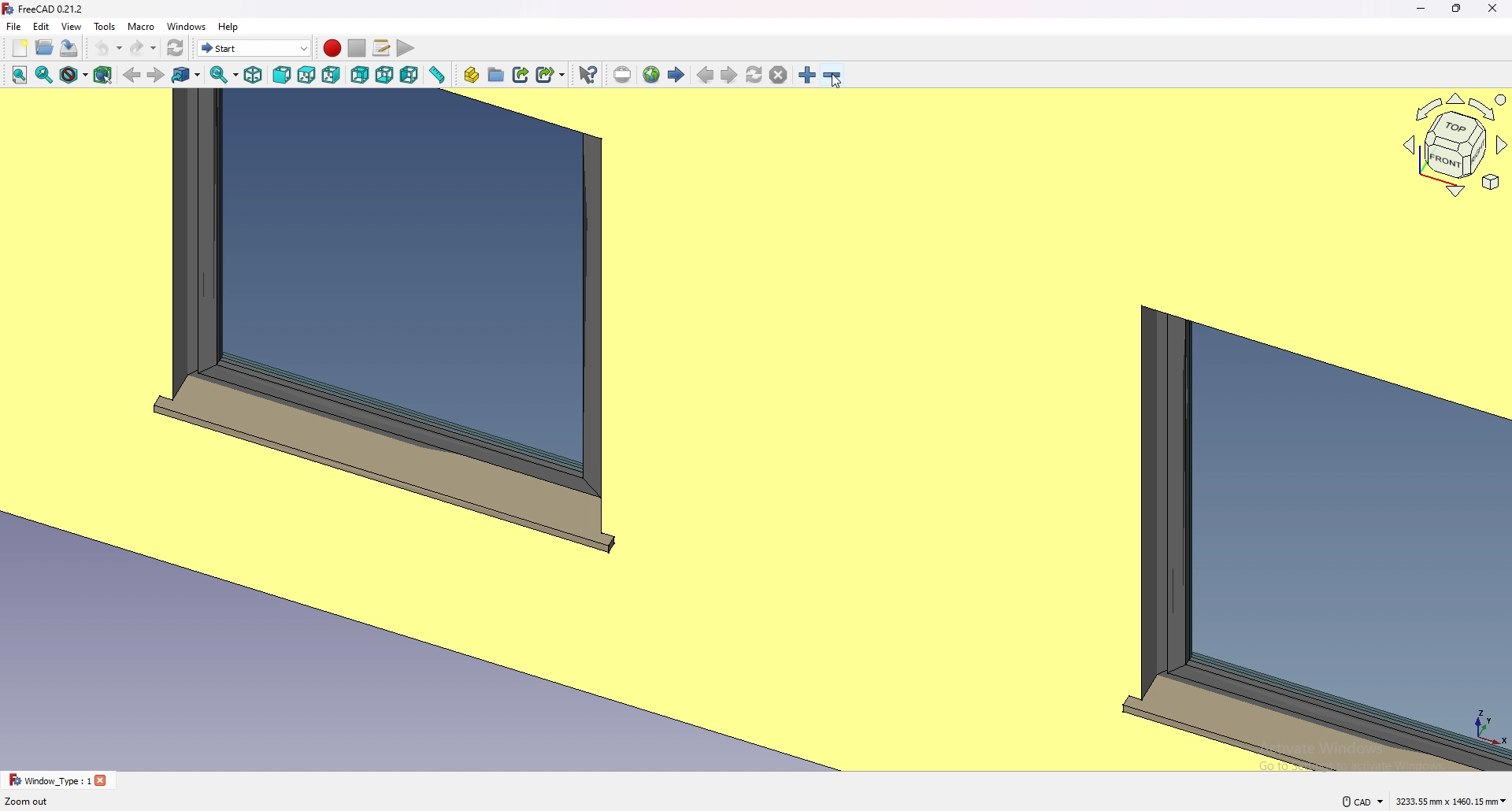 This screenshot has height=811, width=1512. Describe the element at coordinates (186, 74) in the screenshot. I see `go to link object` at that location.